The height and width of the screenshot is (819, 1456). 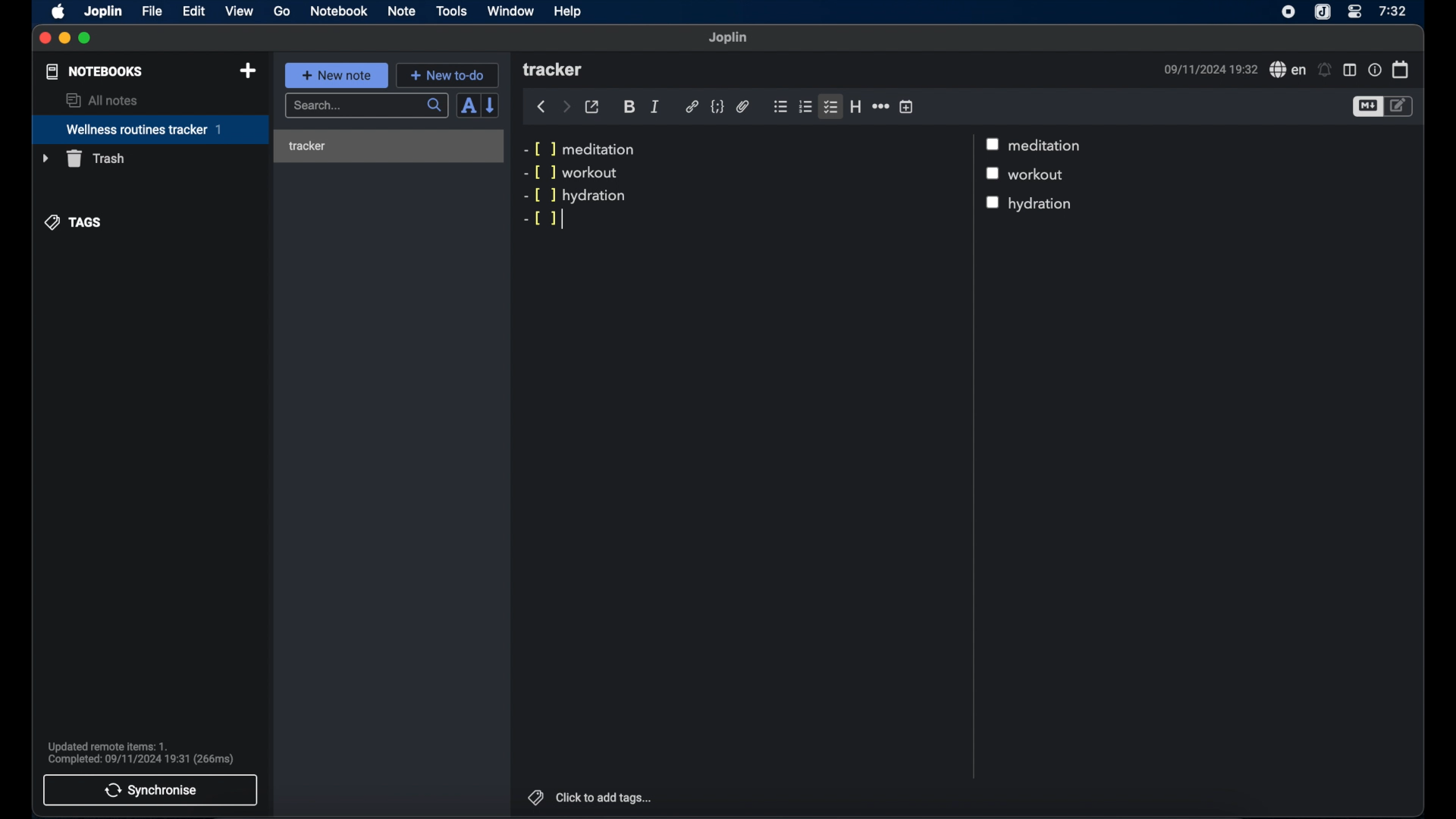 What do you see at coordinates (83, 158) in the screenshot?
I see `trash` at bounding box center [83, 158].